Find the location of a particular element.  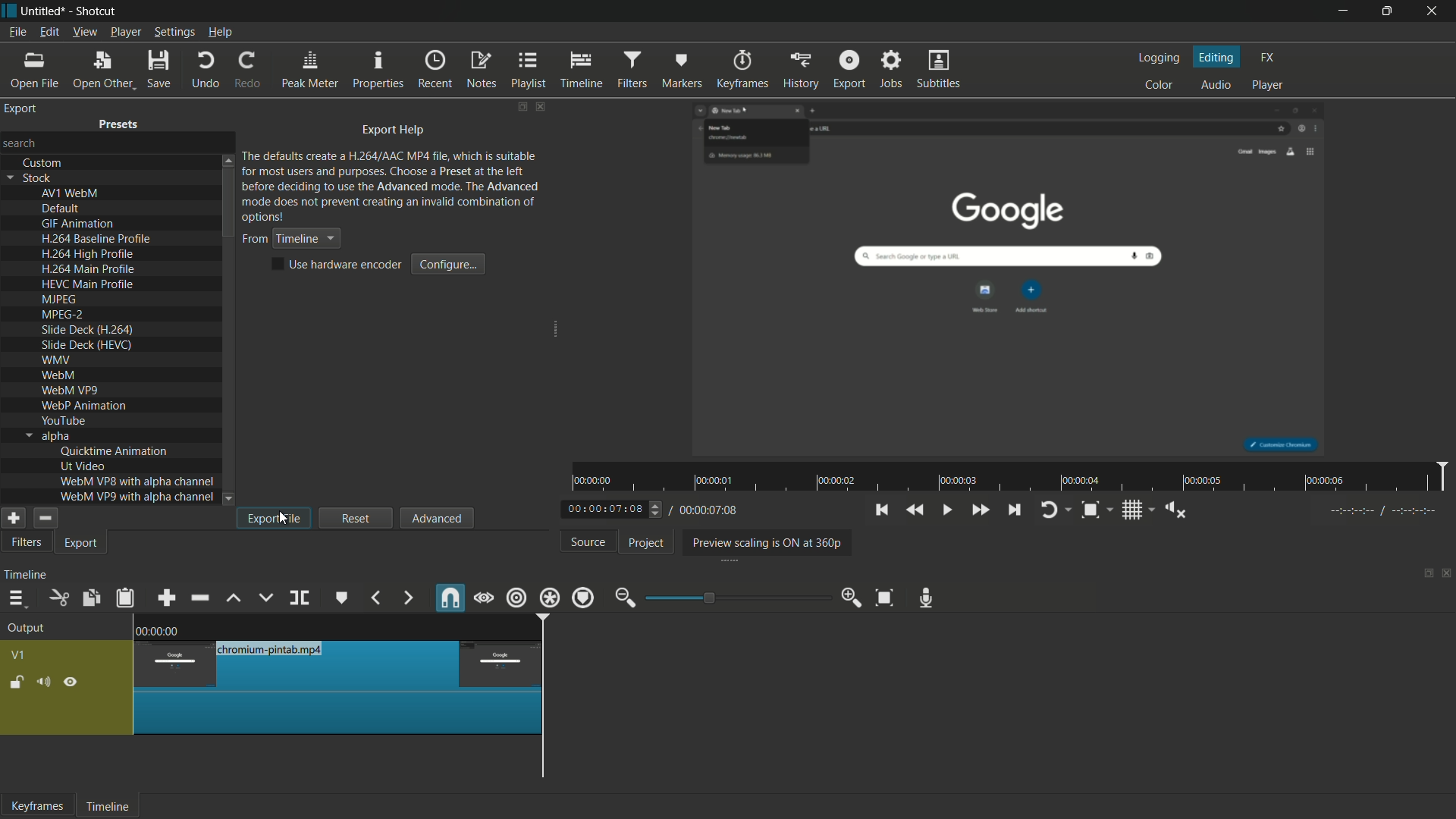

keyframes is located at coordinates (745, 69).